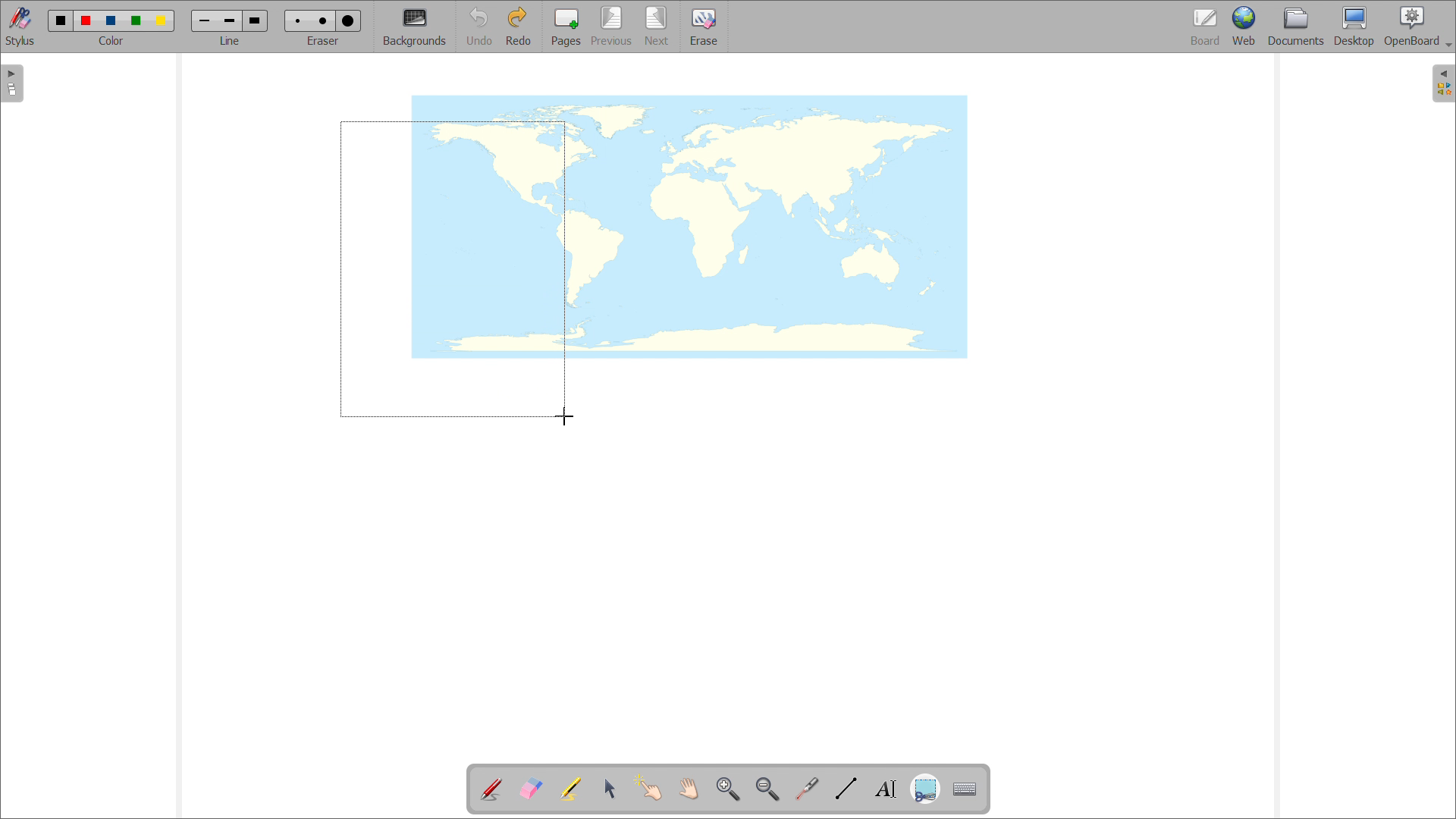 This screenshot has width=1456, height=819. What do you see at coordinates (325, 20) in the screenshot?
I see `medium` at bounding box center [325, 20].